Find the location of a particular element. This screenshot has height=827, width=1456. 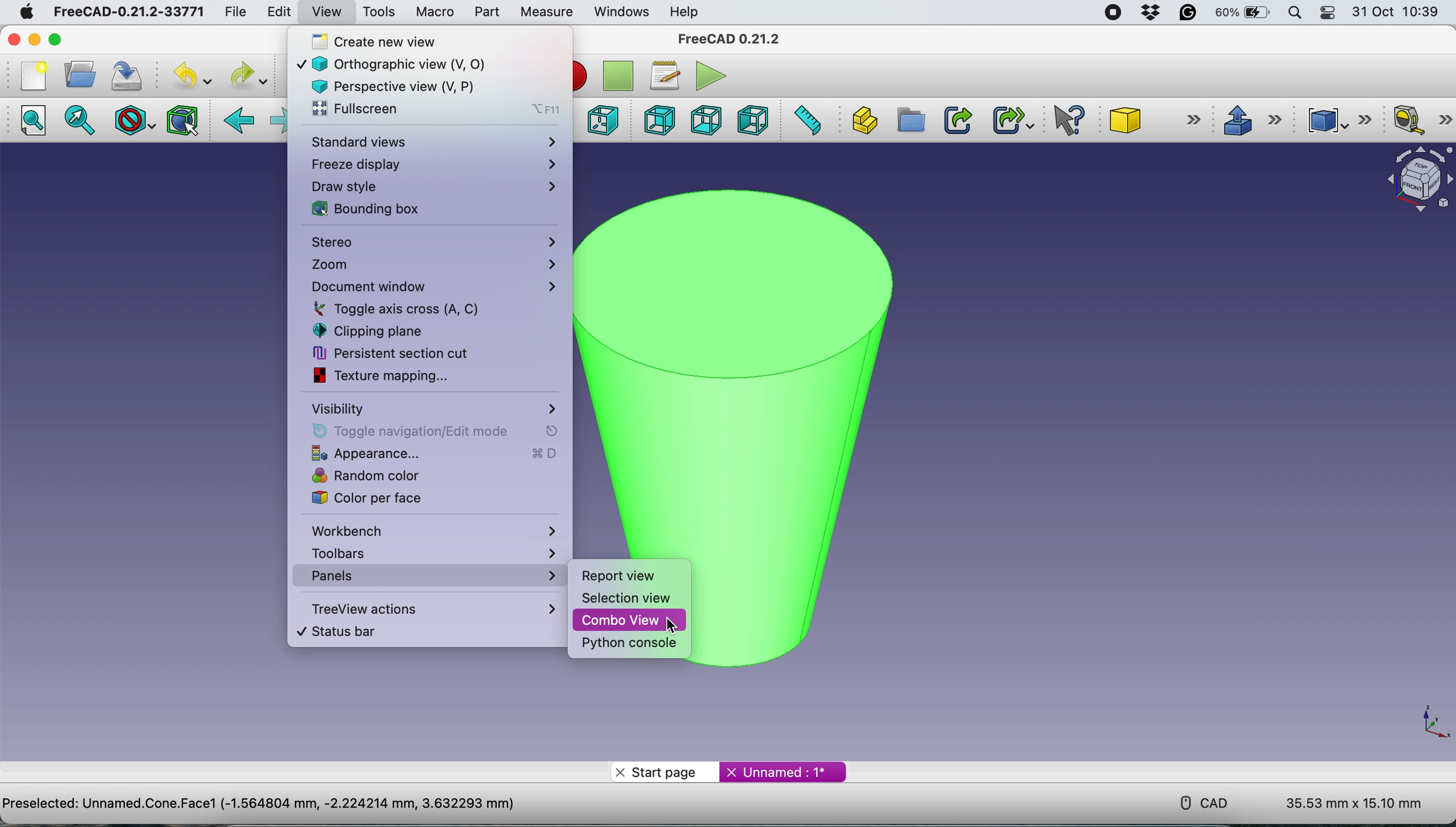

toggle axis across (A,C) is located at coordinates (411, 308).